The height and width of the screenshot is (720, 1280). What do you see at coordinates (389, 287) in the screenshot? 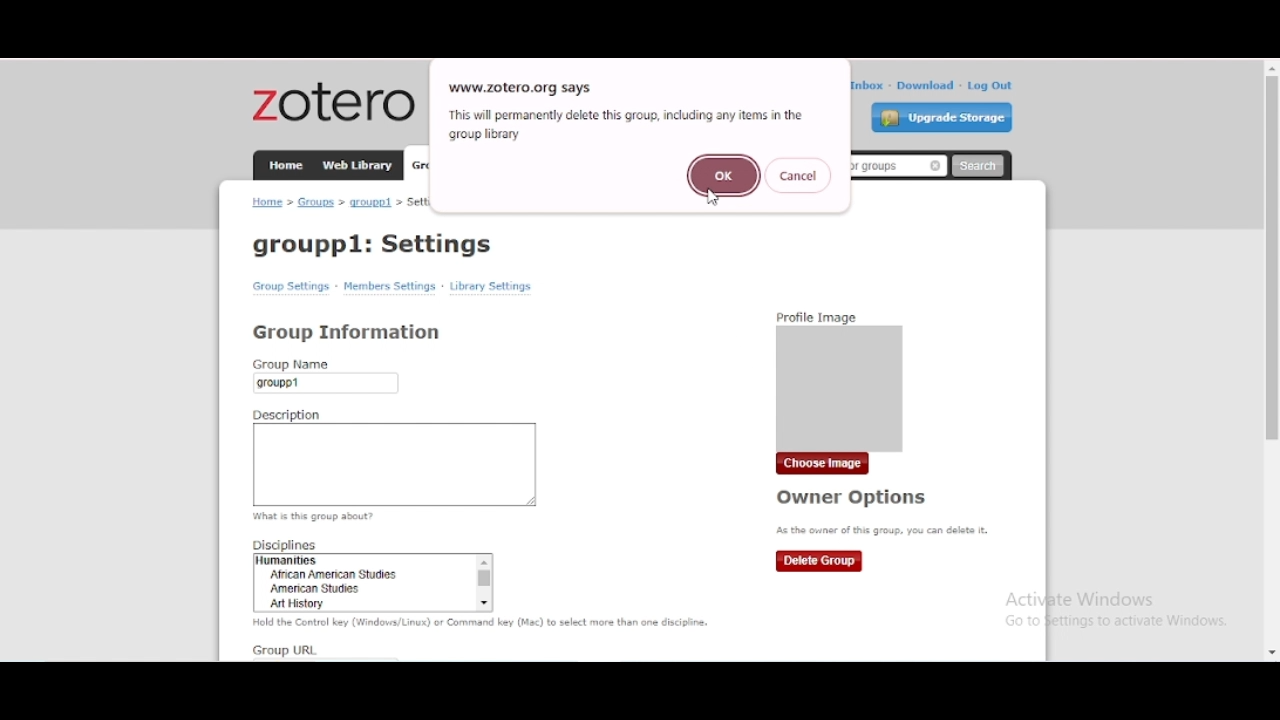
I see `member settings` at bounding box center [389, 287].